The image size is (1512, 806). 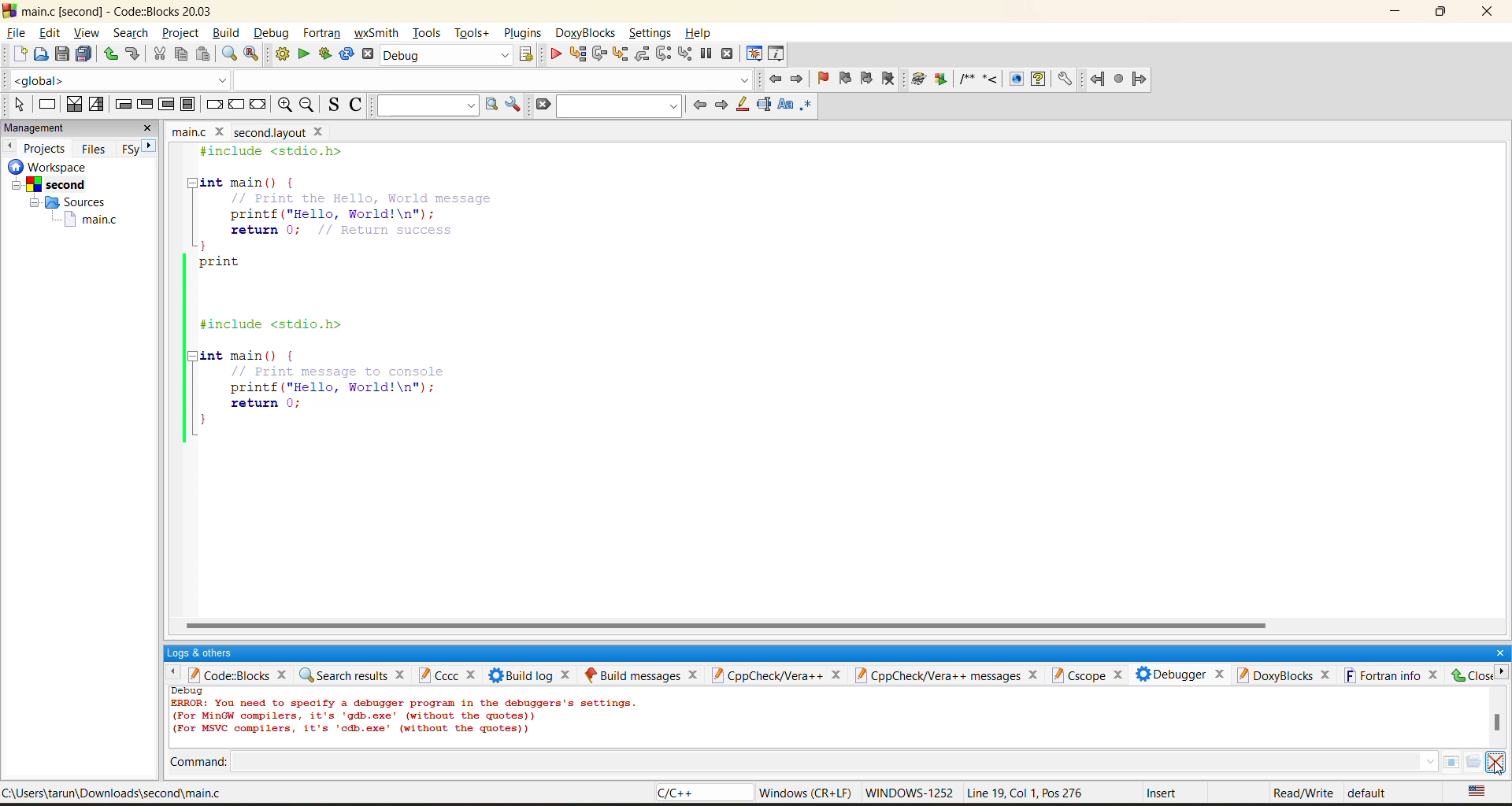 I want to click on toggle source, so click(x=331, y=106).